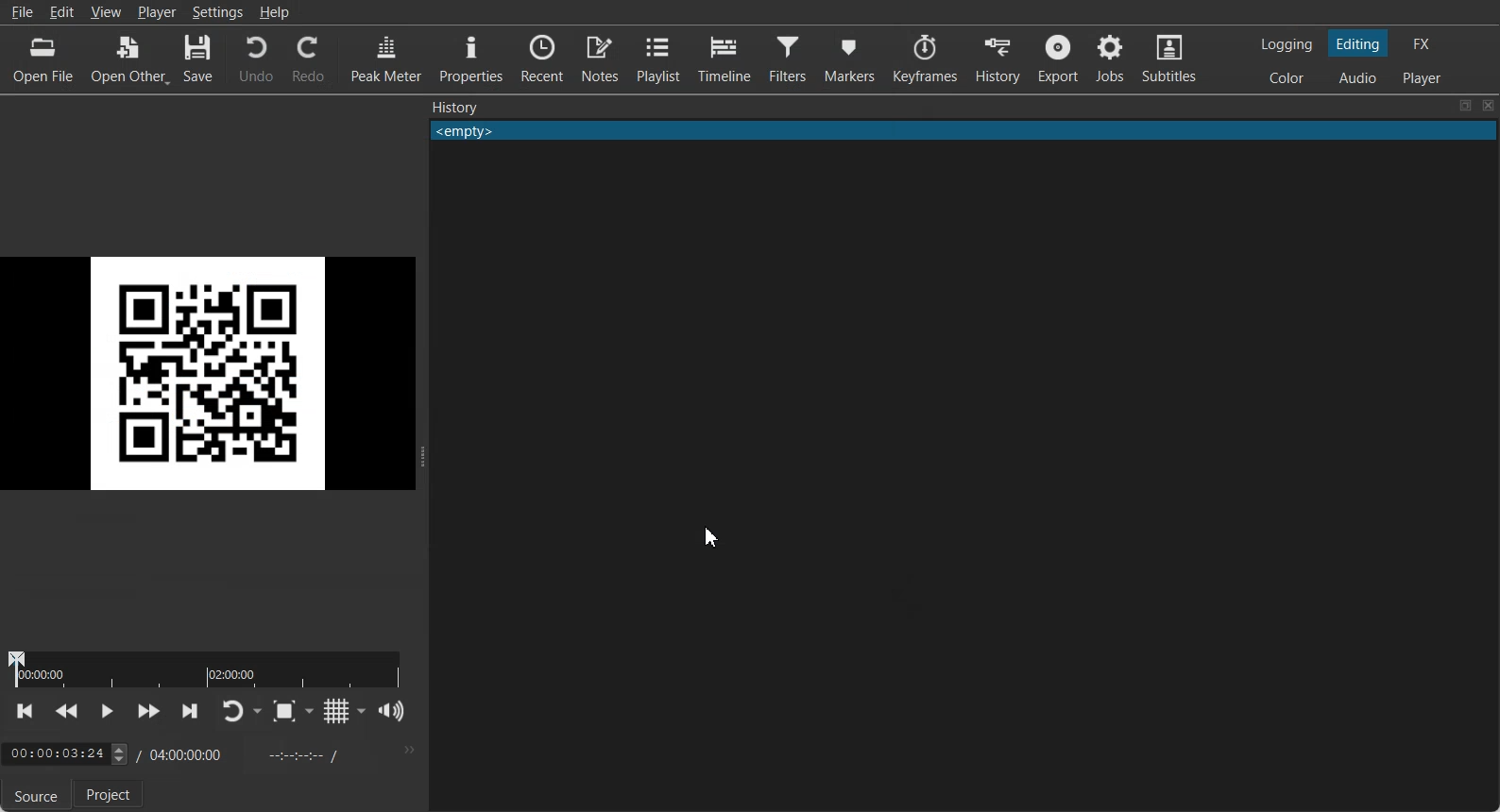  Describe the element at coordinates (392, 711) in the screenshot. I see `Show volume control` at that location.